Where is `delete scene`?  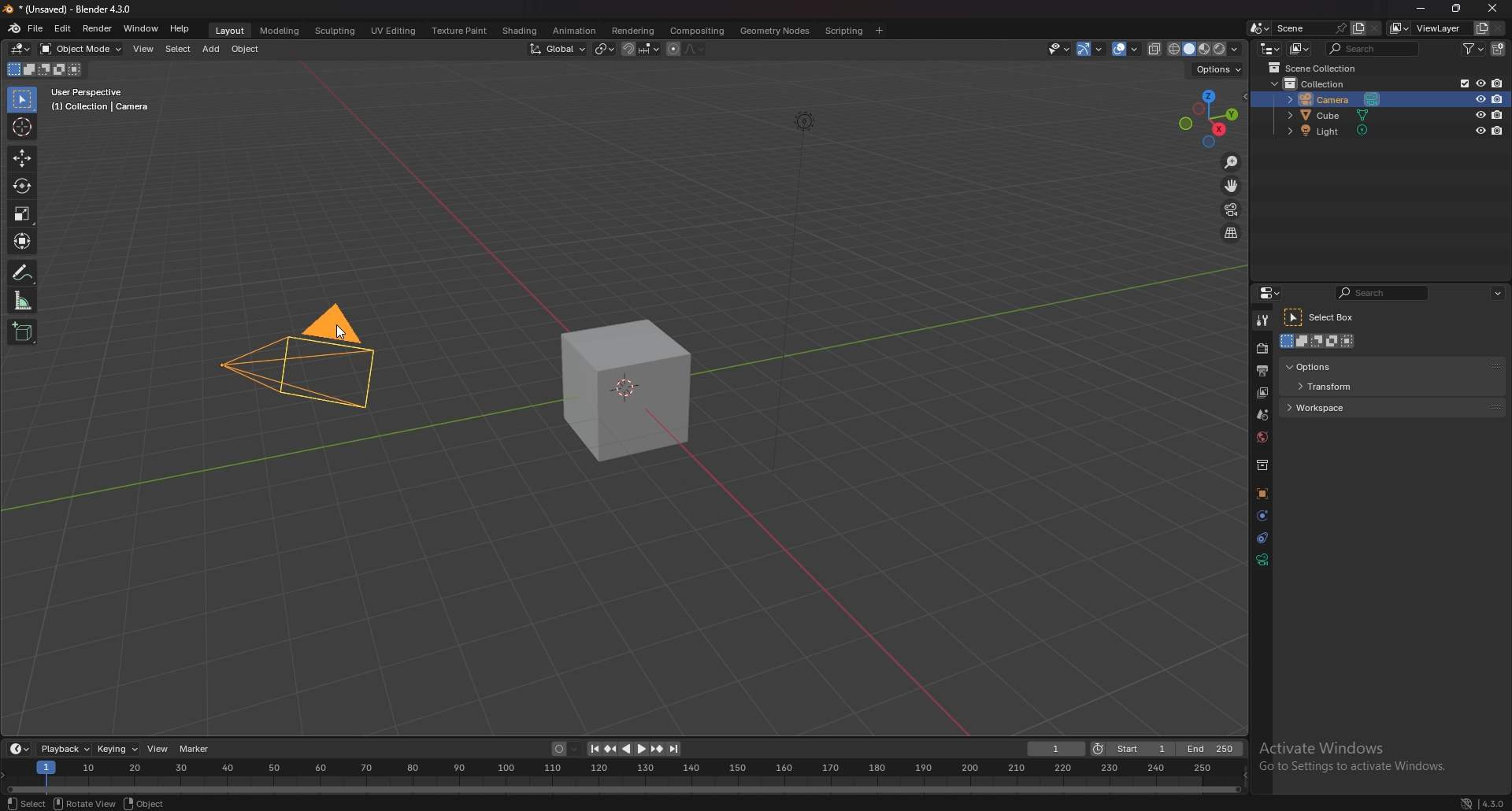
delete scene is located at coordinates (1375, 28).